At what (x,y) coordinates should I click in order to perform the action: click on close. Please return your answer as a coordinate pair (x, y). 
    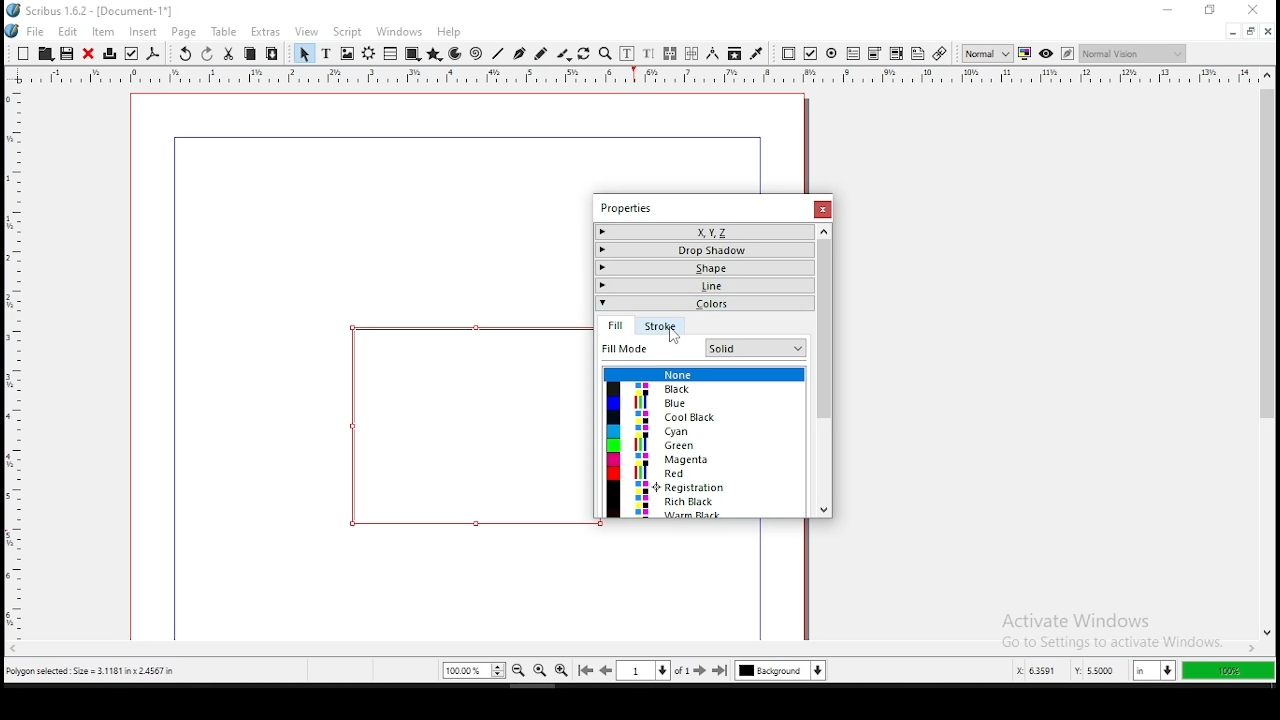
    Looking at the image, I should click on (88, 54).